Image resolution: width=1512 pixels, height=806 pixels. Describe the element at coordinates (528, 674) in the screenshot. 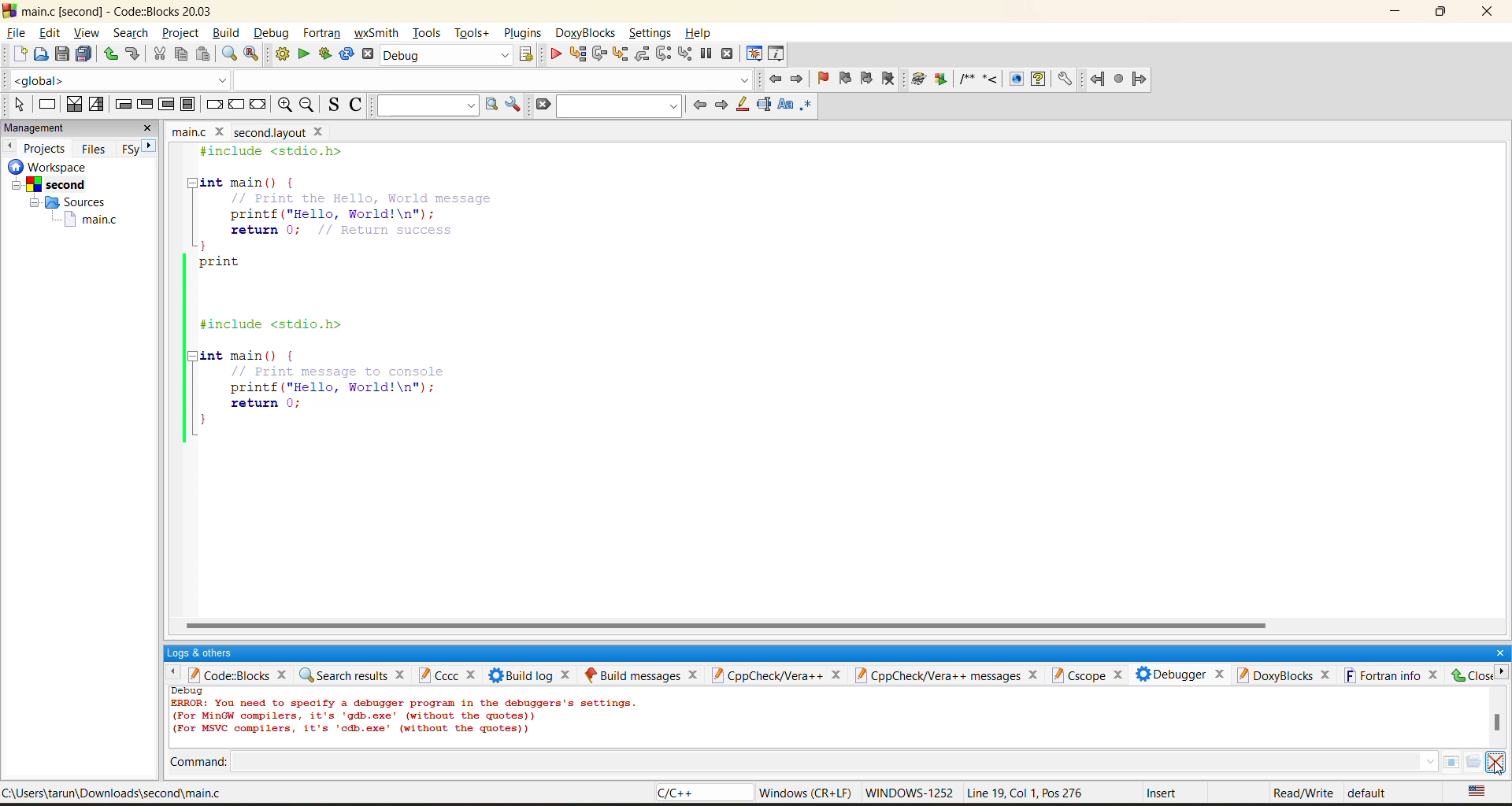

I see `build log` at that location.